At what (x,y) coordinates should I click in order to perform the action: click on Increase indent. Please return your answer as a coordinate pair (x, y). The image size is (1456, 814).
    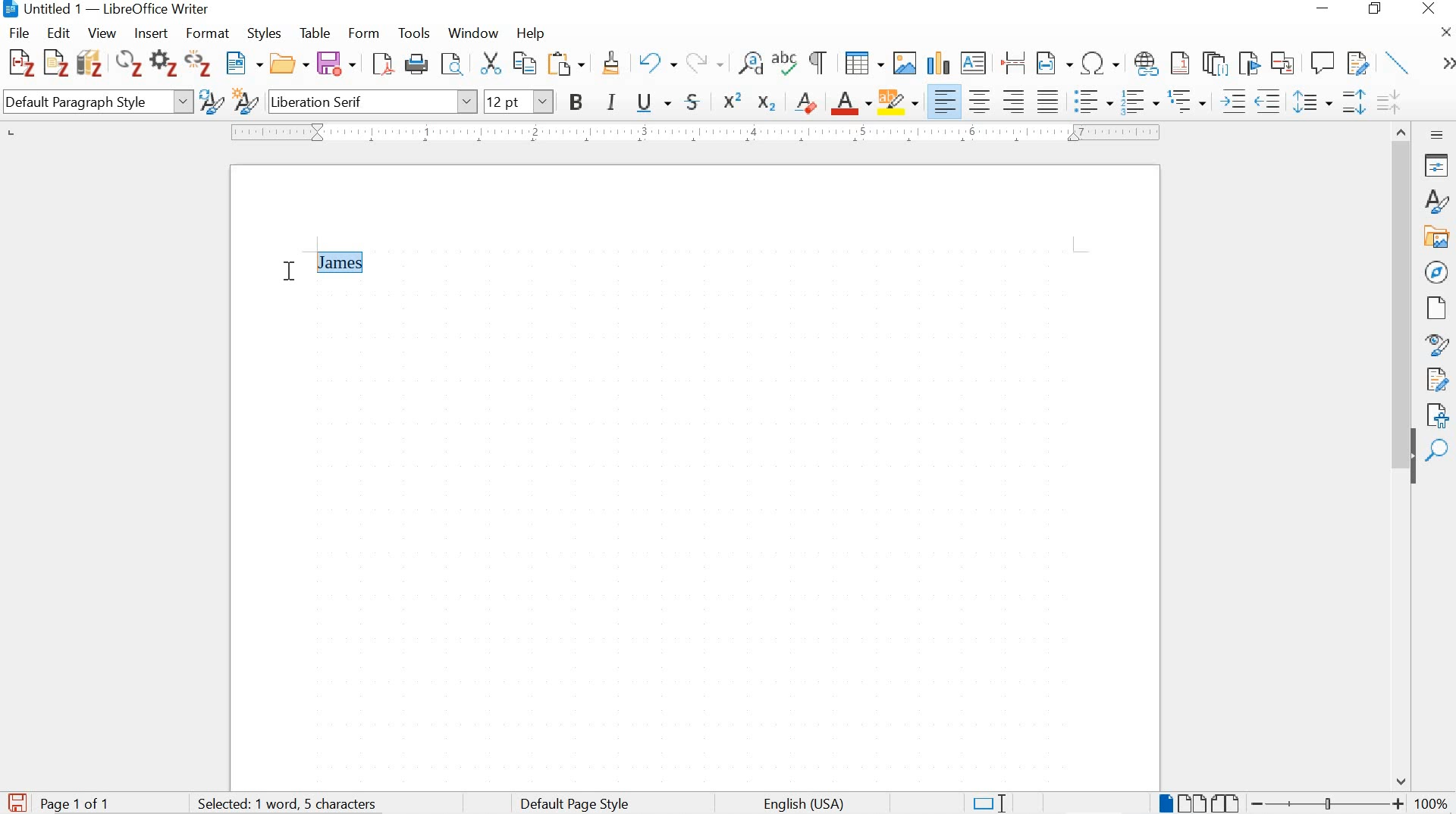
    Looking at the image, I should click on (1232, 101).